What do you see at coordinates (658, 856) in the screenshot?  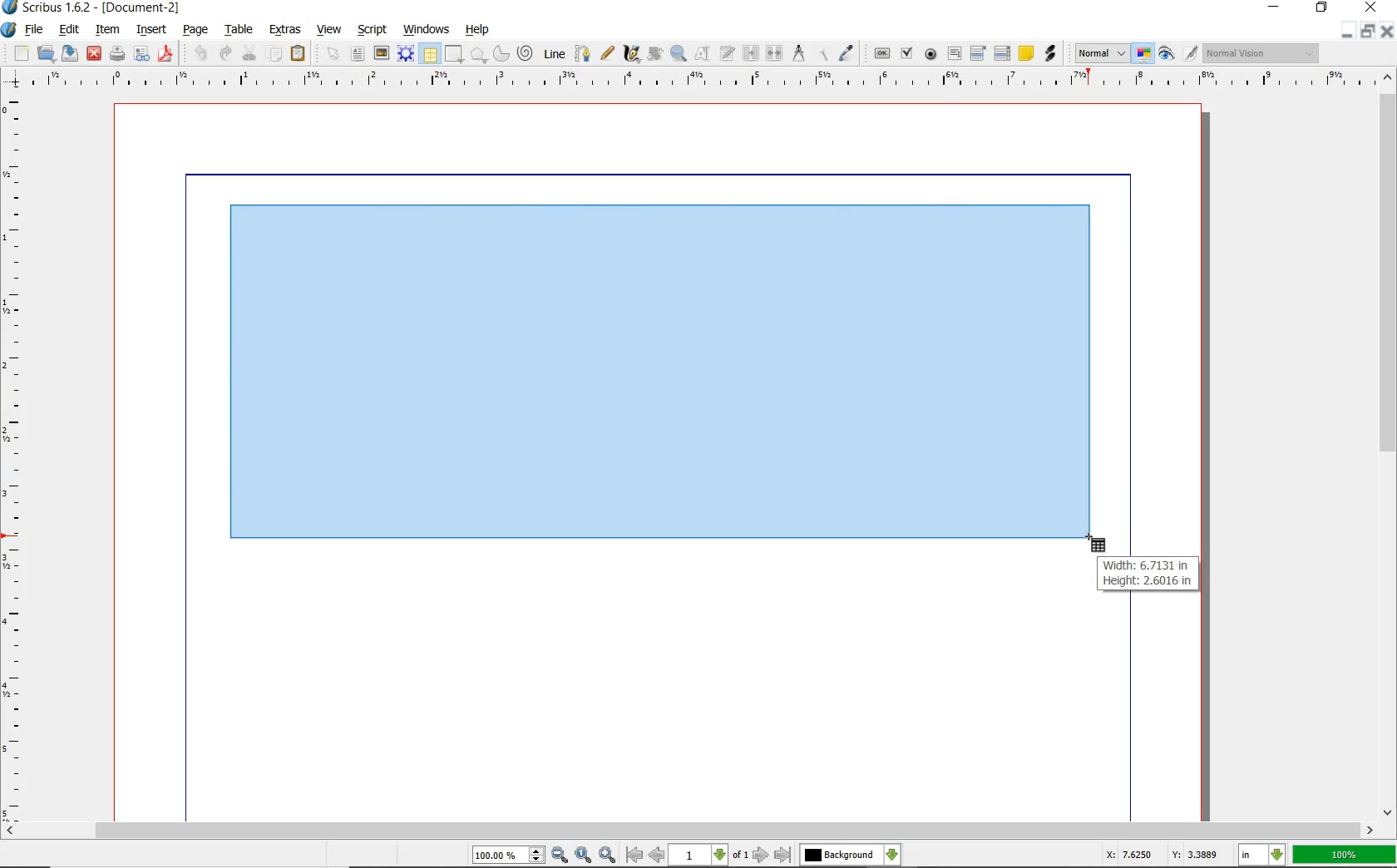 I see `go to previous page` at bounding box center [658, 856].